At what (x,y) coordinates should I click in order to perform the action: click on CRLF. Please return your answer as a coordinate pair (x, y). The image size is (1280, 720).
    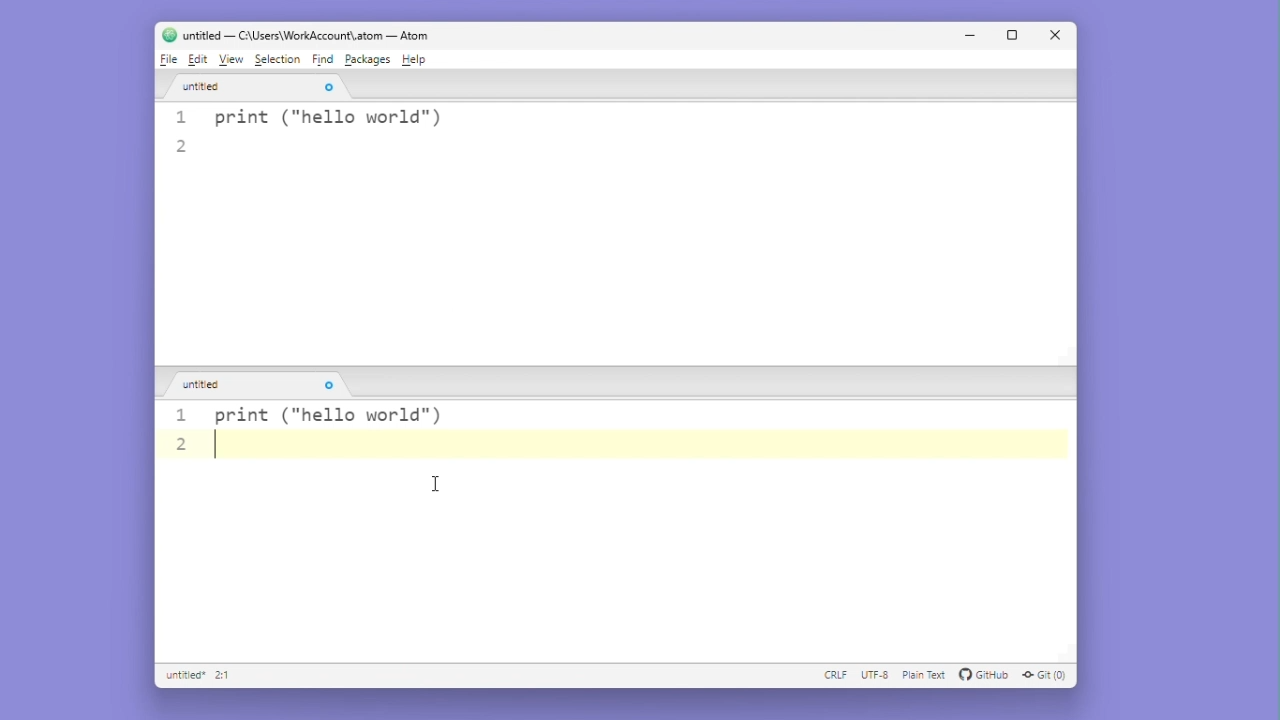
    Looking at the image, I should click on (837, 676).